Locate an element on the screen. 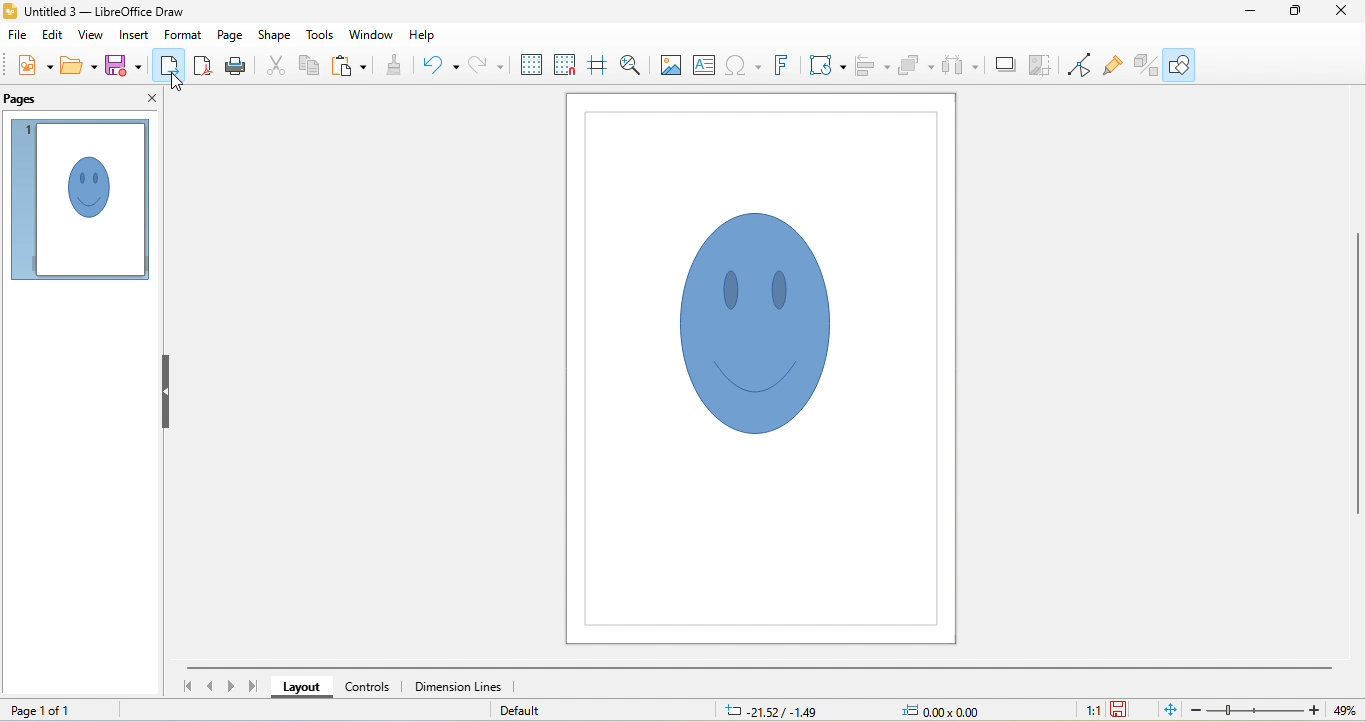  horizontal scroll  is located at coordinates (762, 666).